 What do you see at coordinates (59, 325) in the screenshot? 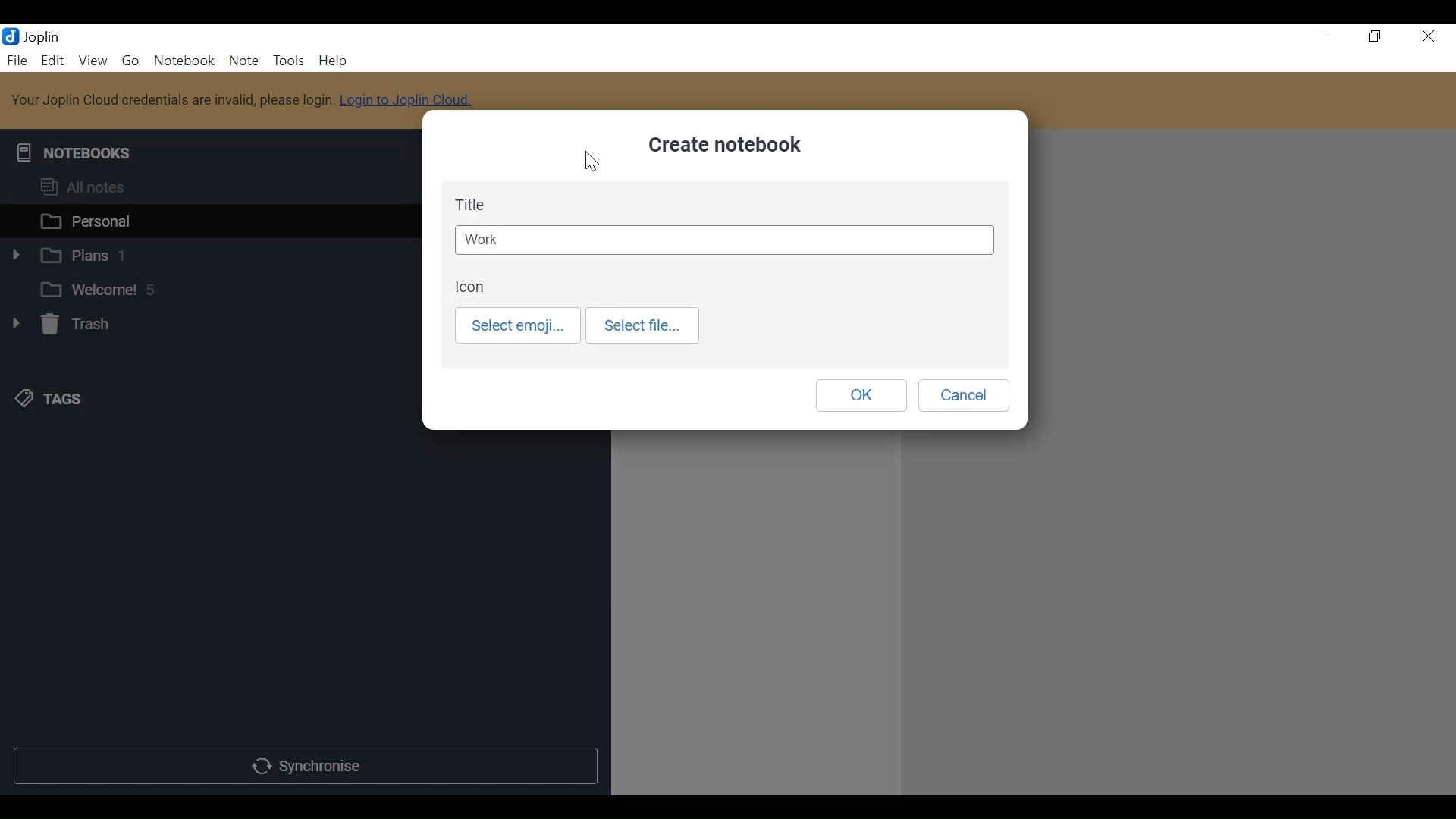
I see `Trash` at bounding box center [59, 325].